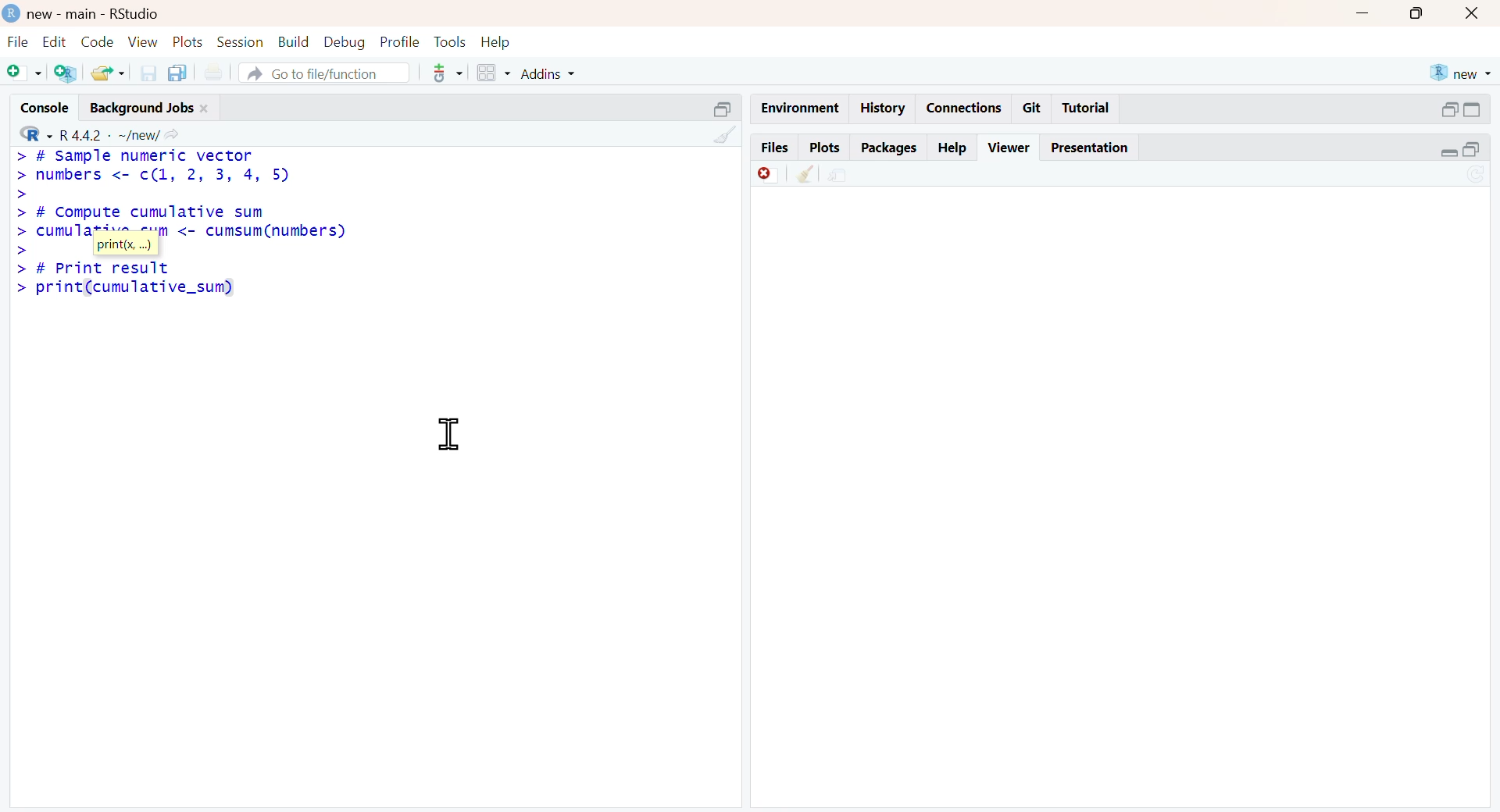  I want to click on open in separate window, so click(1448, 109).